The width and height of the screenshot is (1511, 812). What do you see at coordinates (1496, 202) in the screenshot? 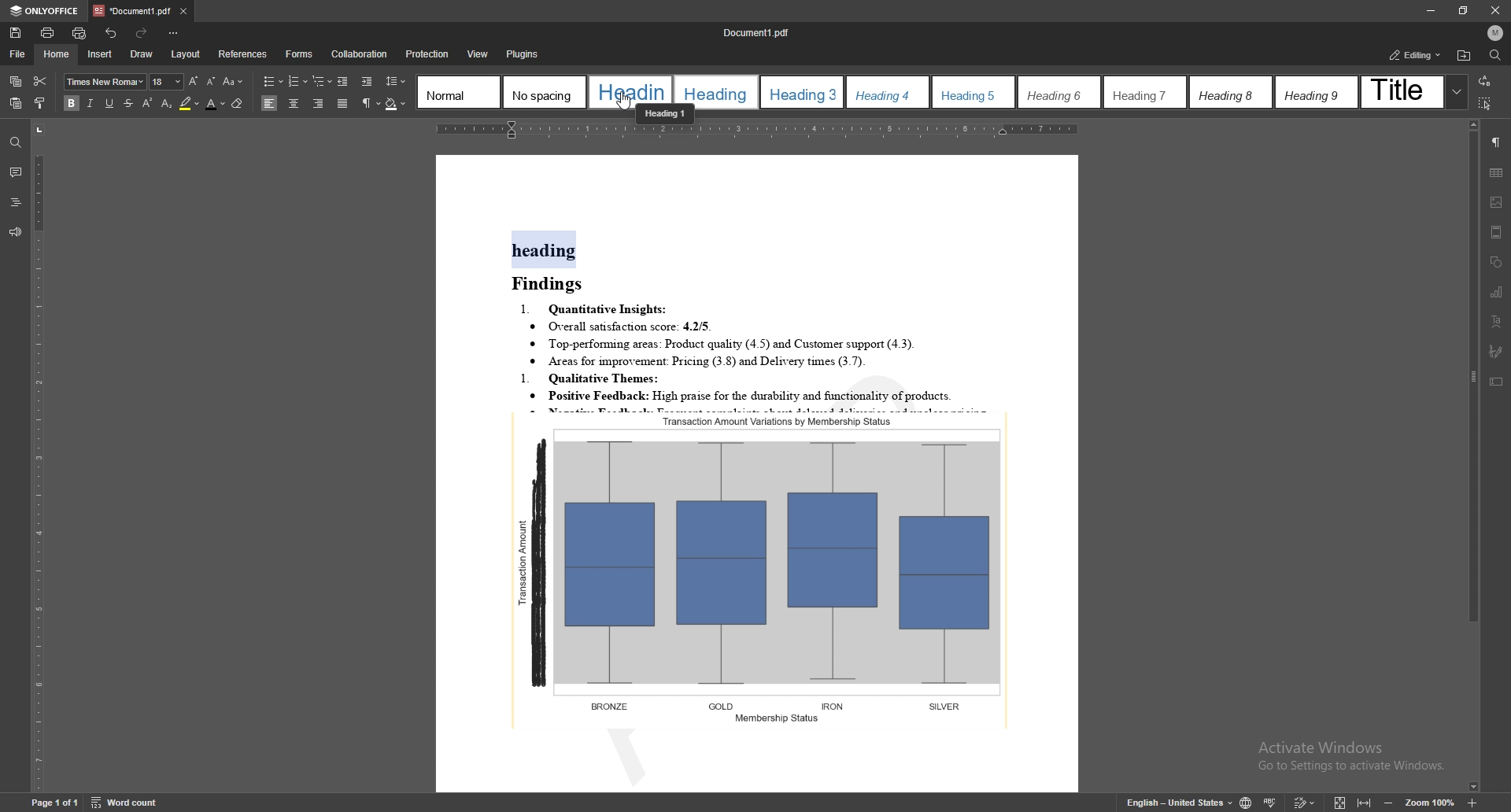
I see `image` at bounding box center [1496, 202].